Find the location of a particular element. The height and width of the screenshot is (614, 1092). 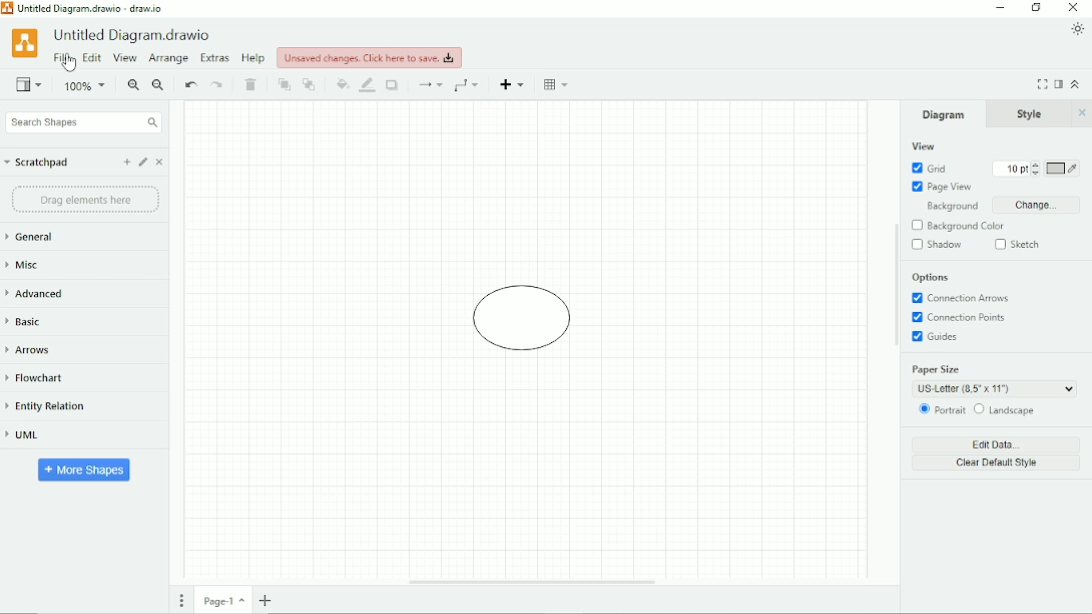

Connection is located at coordinates (430, 85).